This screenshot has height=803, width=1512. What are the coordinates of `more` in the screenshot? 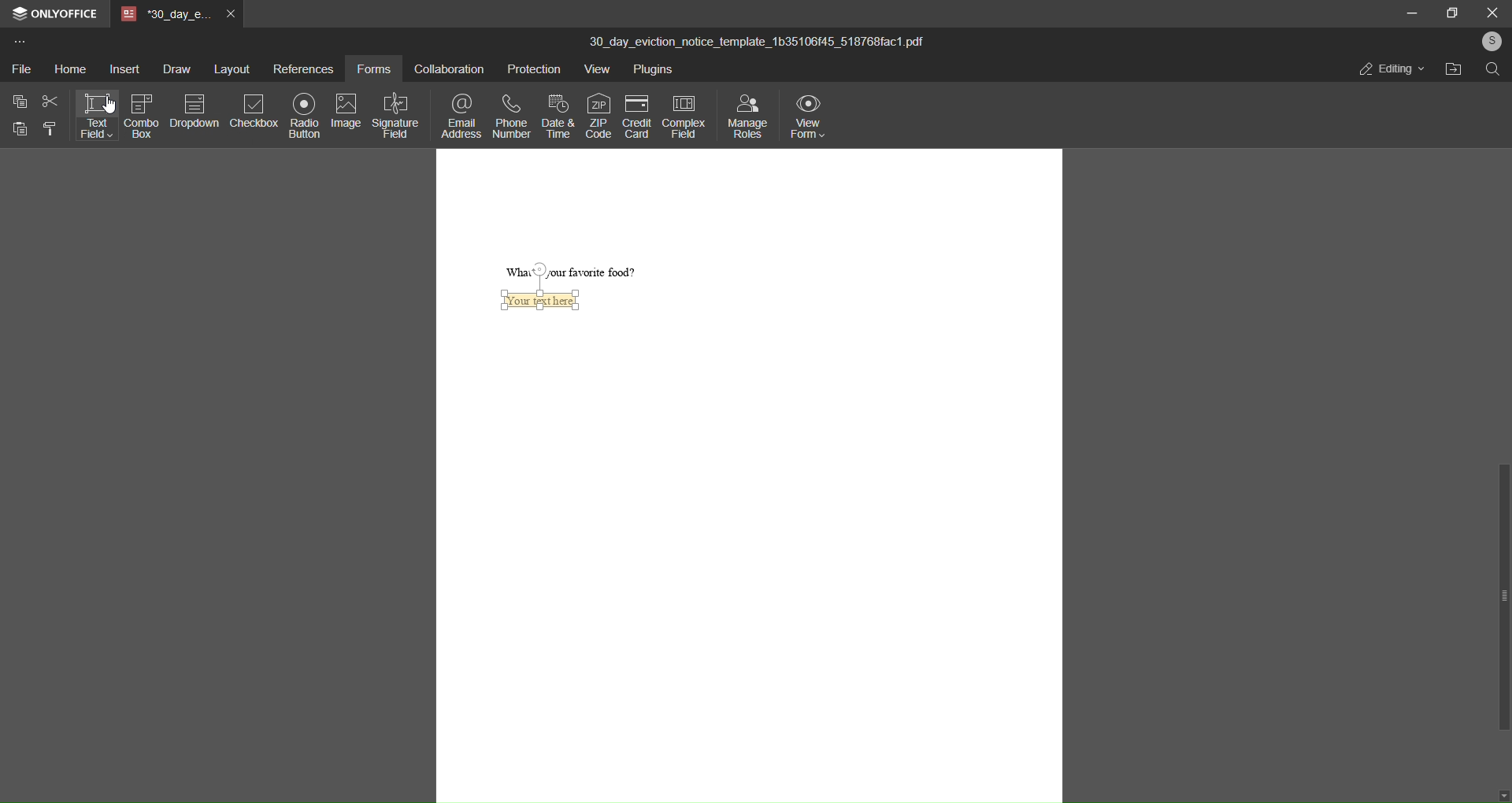 It's located at (19, 44).